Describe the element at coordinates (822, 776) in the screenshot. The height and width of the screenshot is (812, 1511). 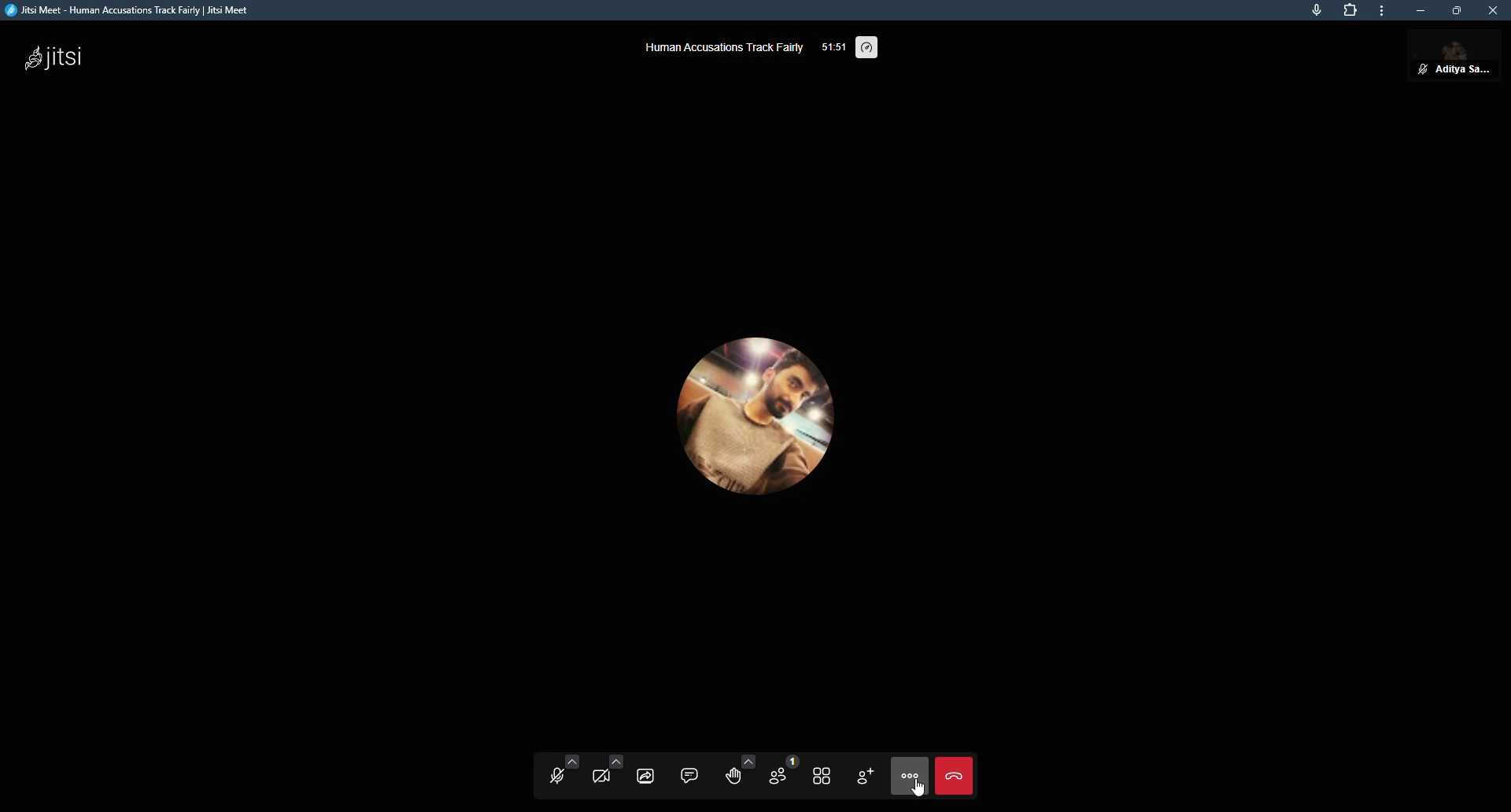
I see `toggle tile view` at that location.